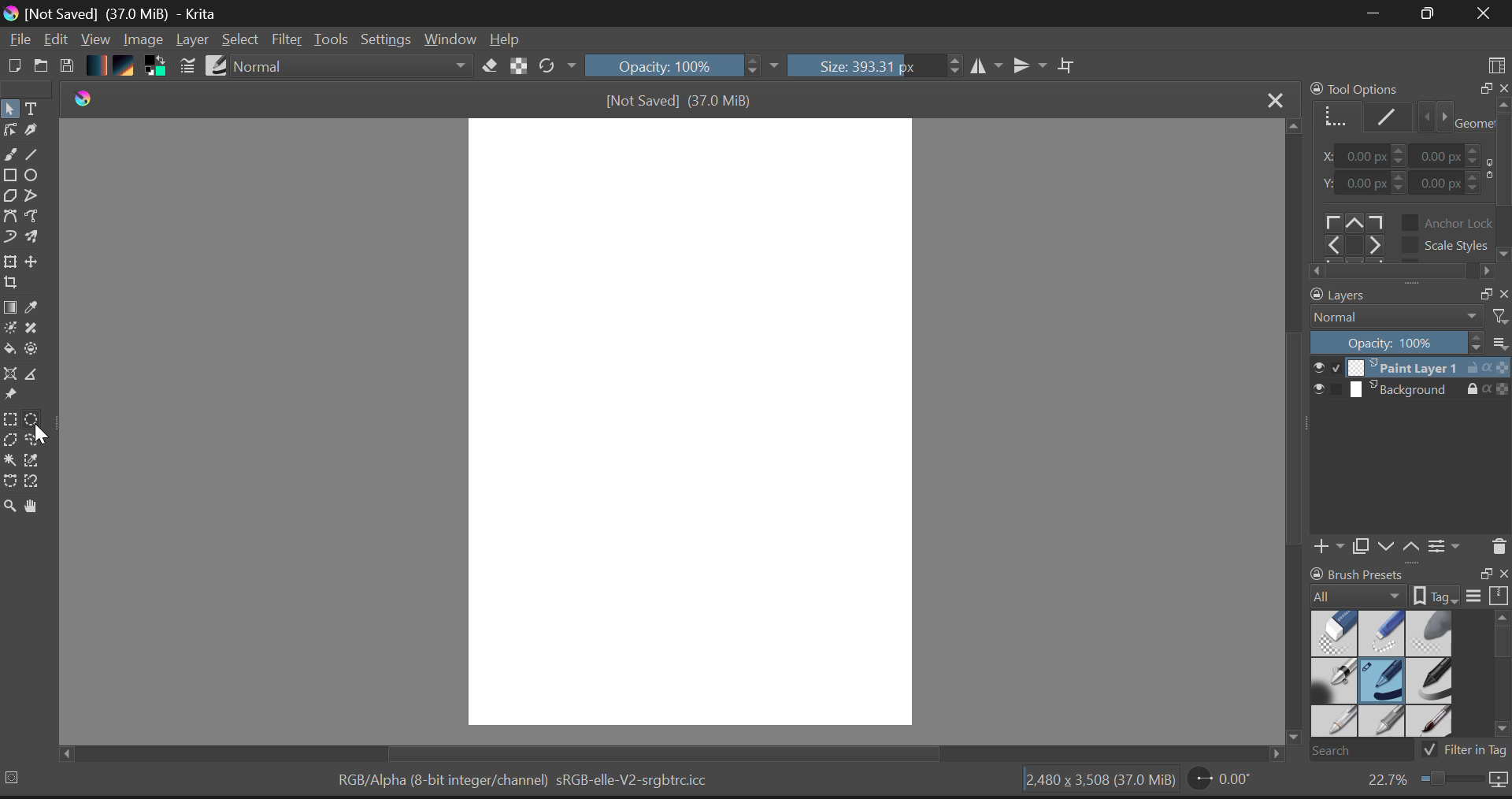 Image resolution: width=1512 pixels, height=799 pixels. Describe the element at coordinates (37, 463) in the screenshot. I see `Same Color Selection` at that location.